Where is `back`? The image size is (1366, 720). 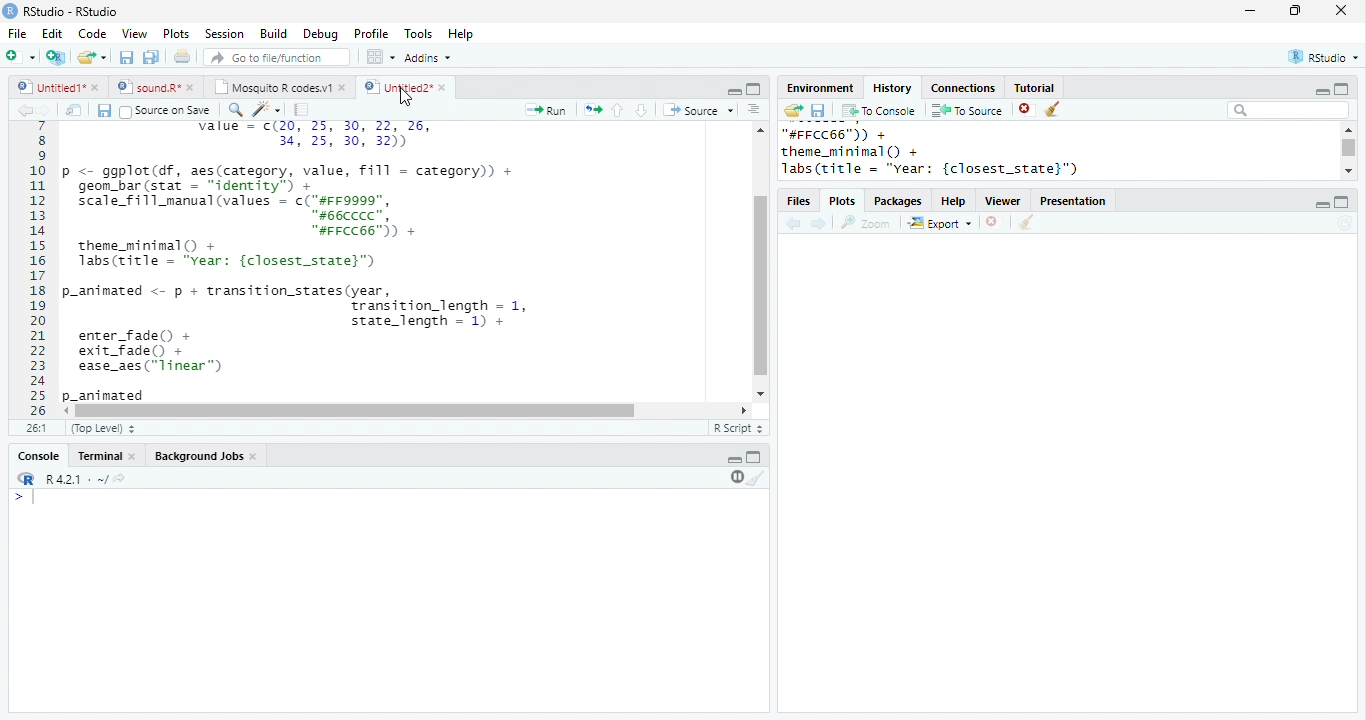 back is located at coordinates (793, 223).